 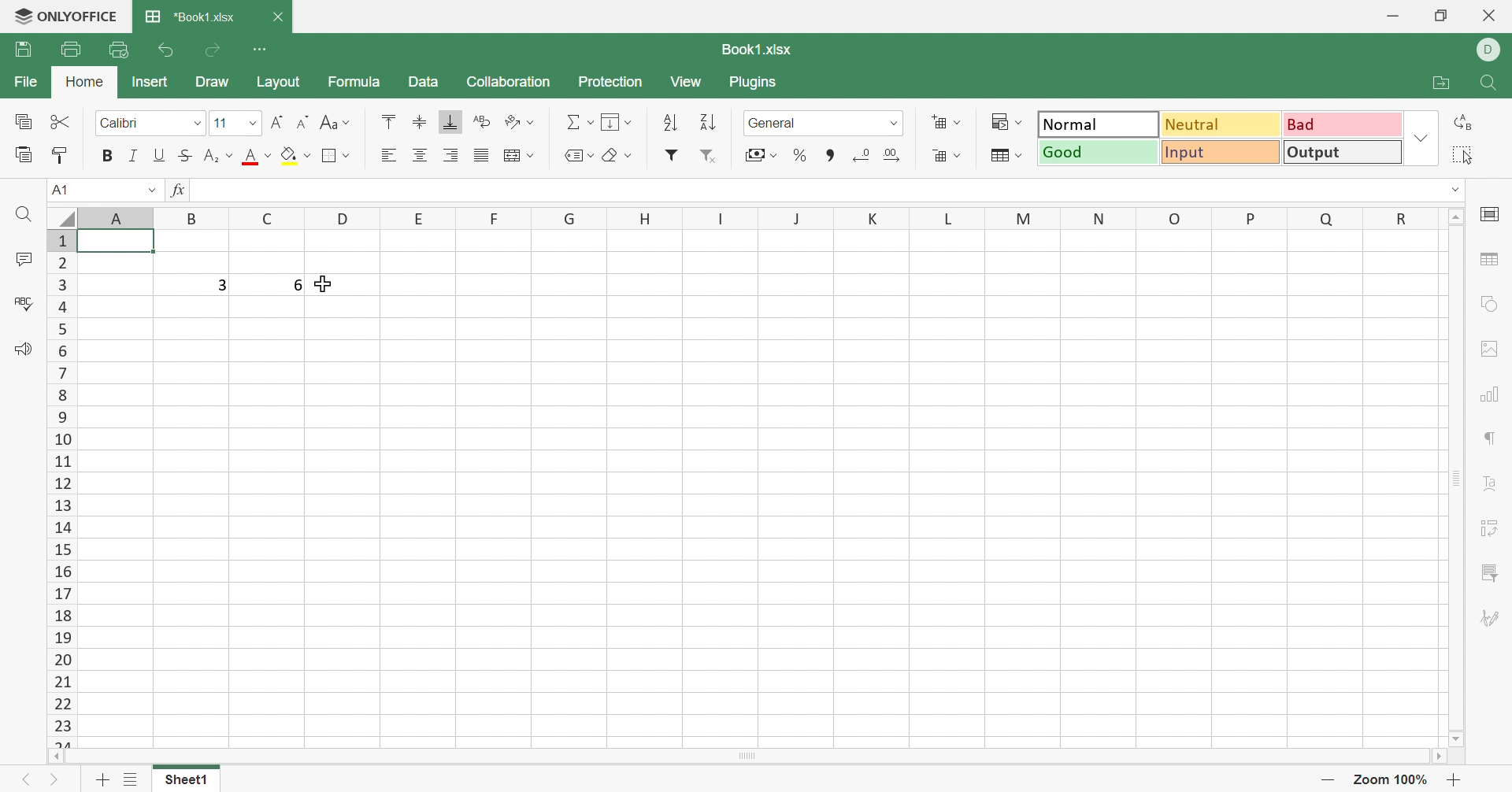 What do you see at coordinates (1492, 439) in the screenshot?
I see `Paragraph settings` at bounding box center [1492, 439].